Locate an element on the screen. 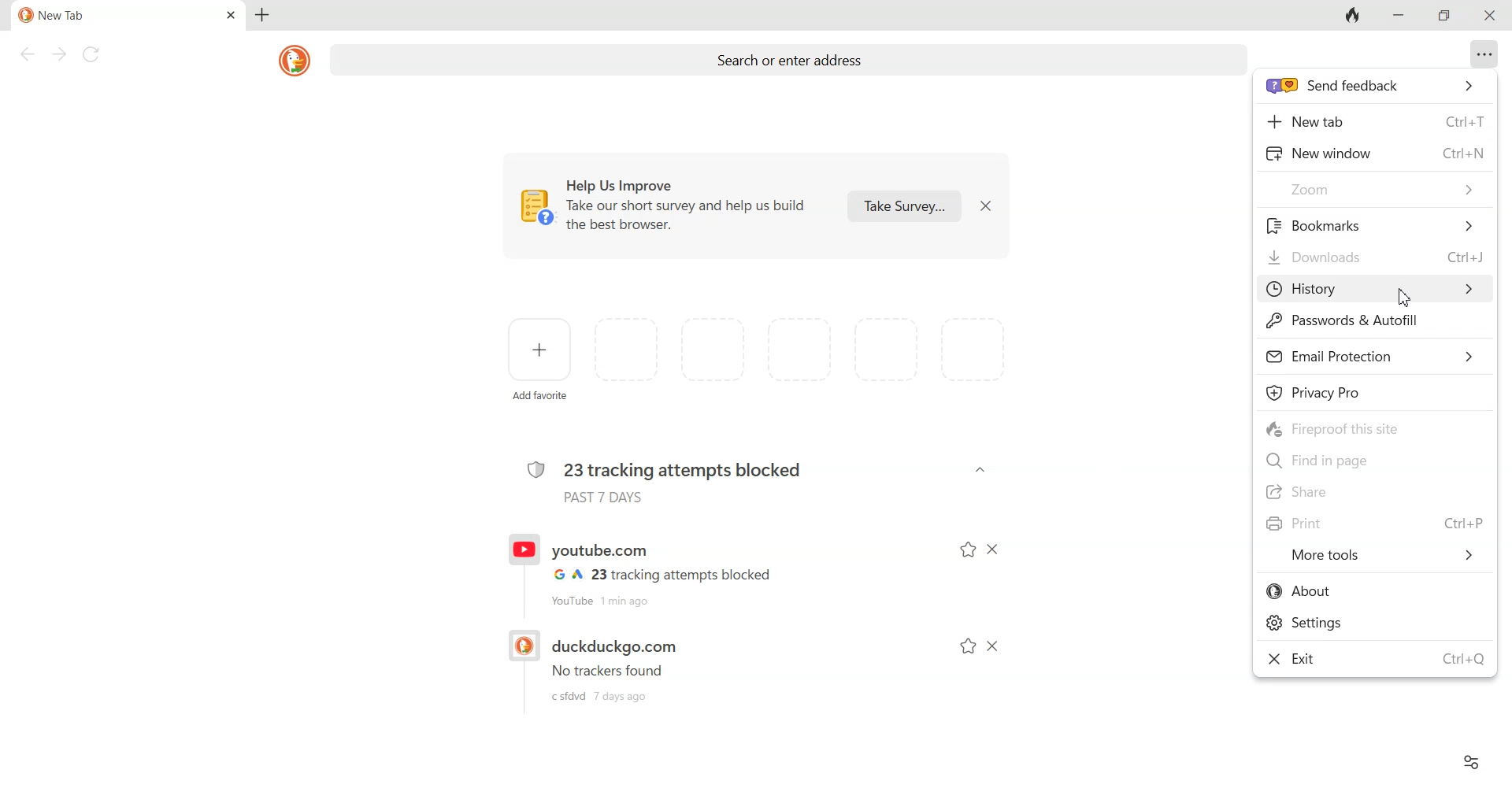 The height and width of the screenshot is (803, 1512). Back is located at coordinates (26, 54).